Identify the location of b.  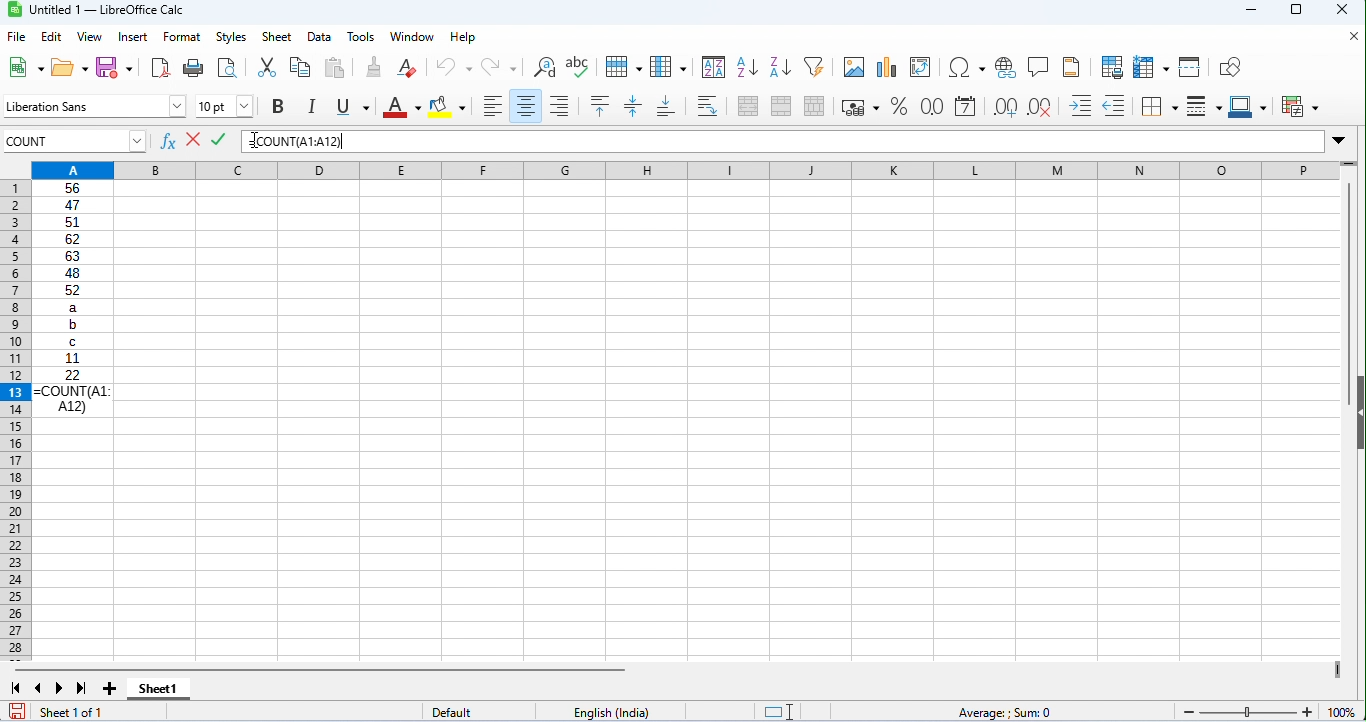
(72, 325).